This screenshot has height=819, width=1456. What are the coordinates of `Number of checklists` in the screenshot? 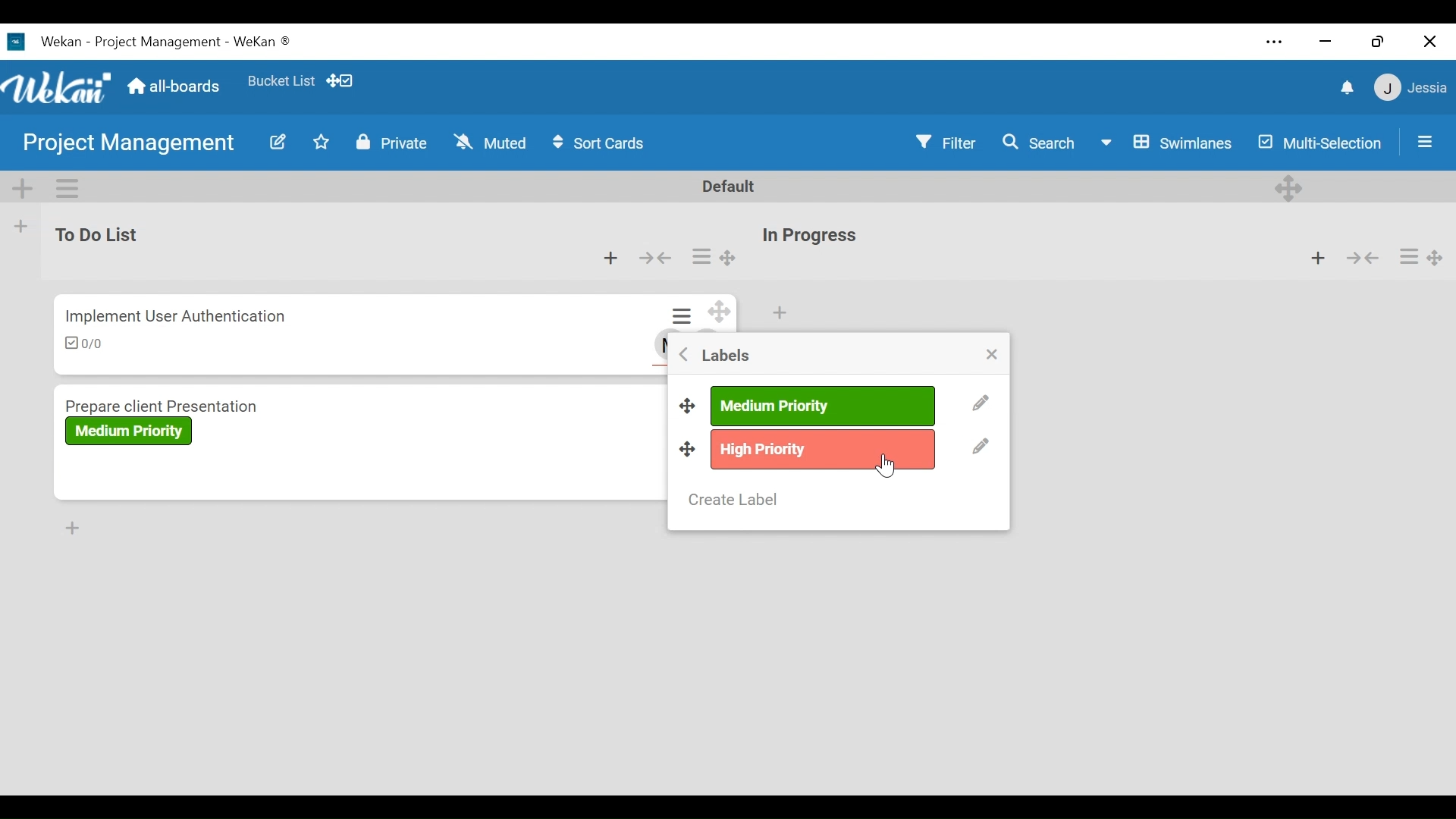 It's located at (84, 344).